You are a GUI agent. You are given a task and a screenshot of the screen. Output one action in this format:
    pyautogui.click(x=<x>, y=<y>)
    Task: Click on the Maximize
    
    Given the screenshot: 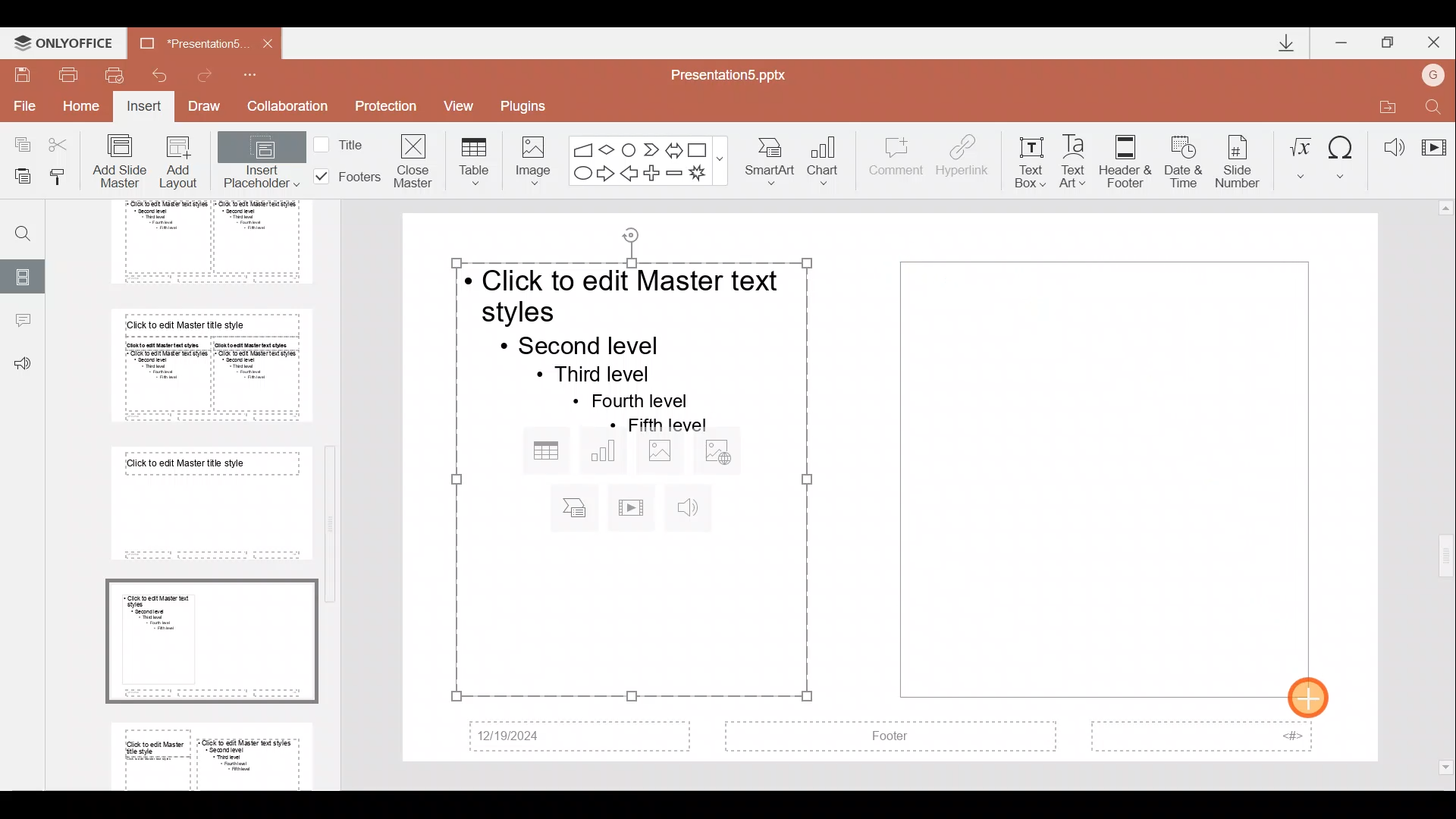 What is the action you would take?
    pyautogui.click(x=1389, y=40)
    